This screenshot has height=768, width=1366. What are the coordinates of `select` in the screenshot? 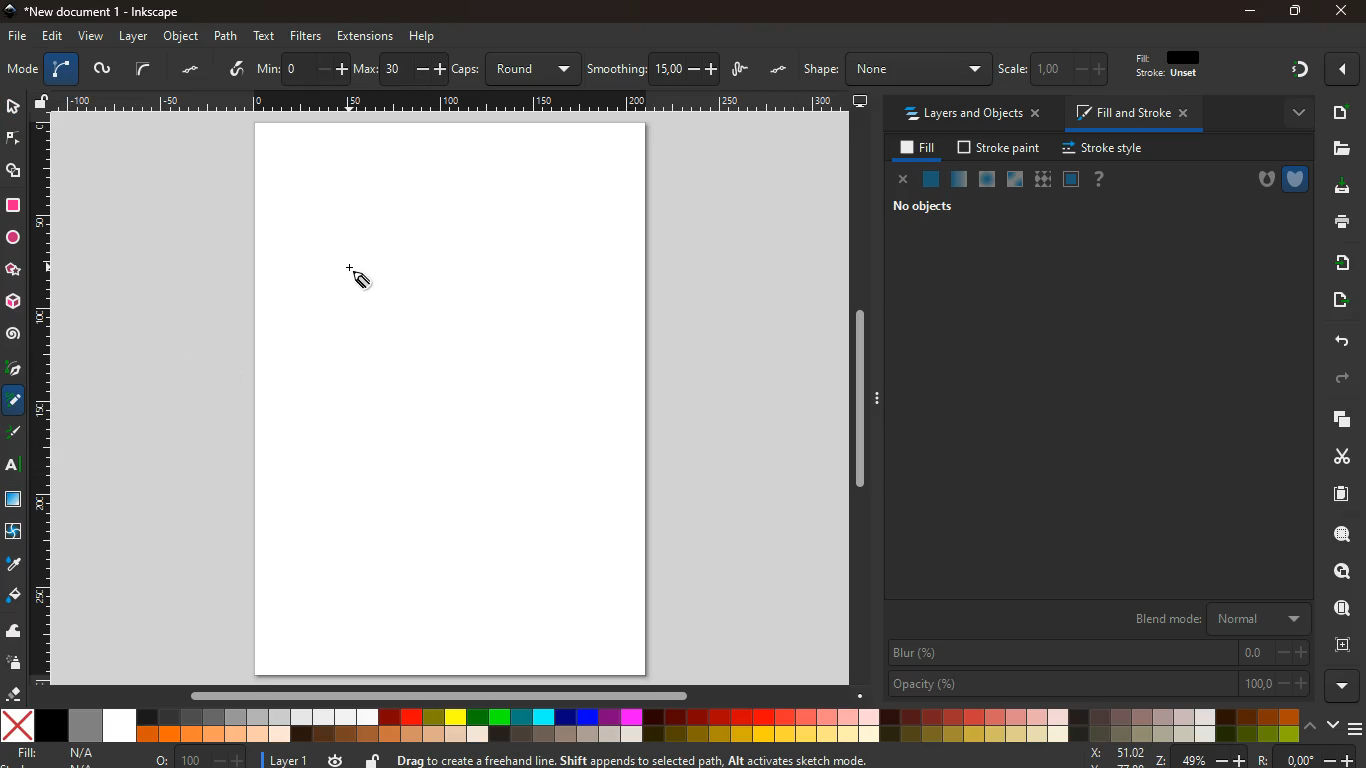 It's located at (144, 69).